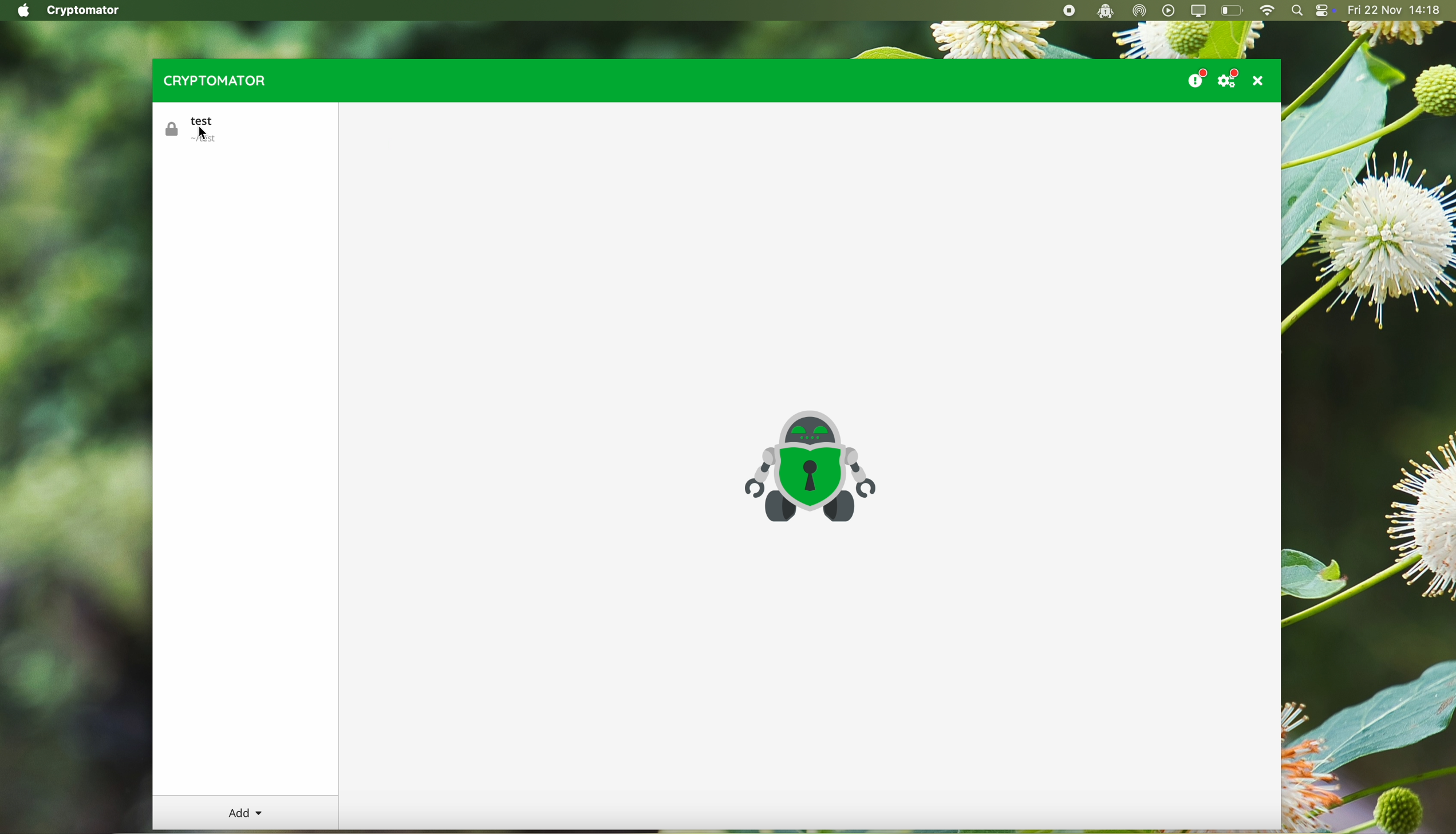  What do you see at coordinates (212, 80) in the screenshot?
I see `cryptomator` at bounding box center [212, 80].